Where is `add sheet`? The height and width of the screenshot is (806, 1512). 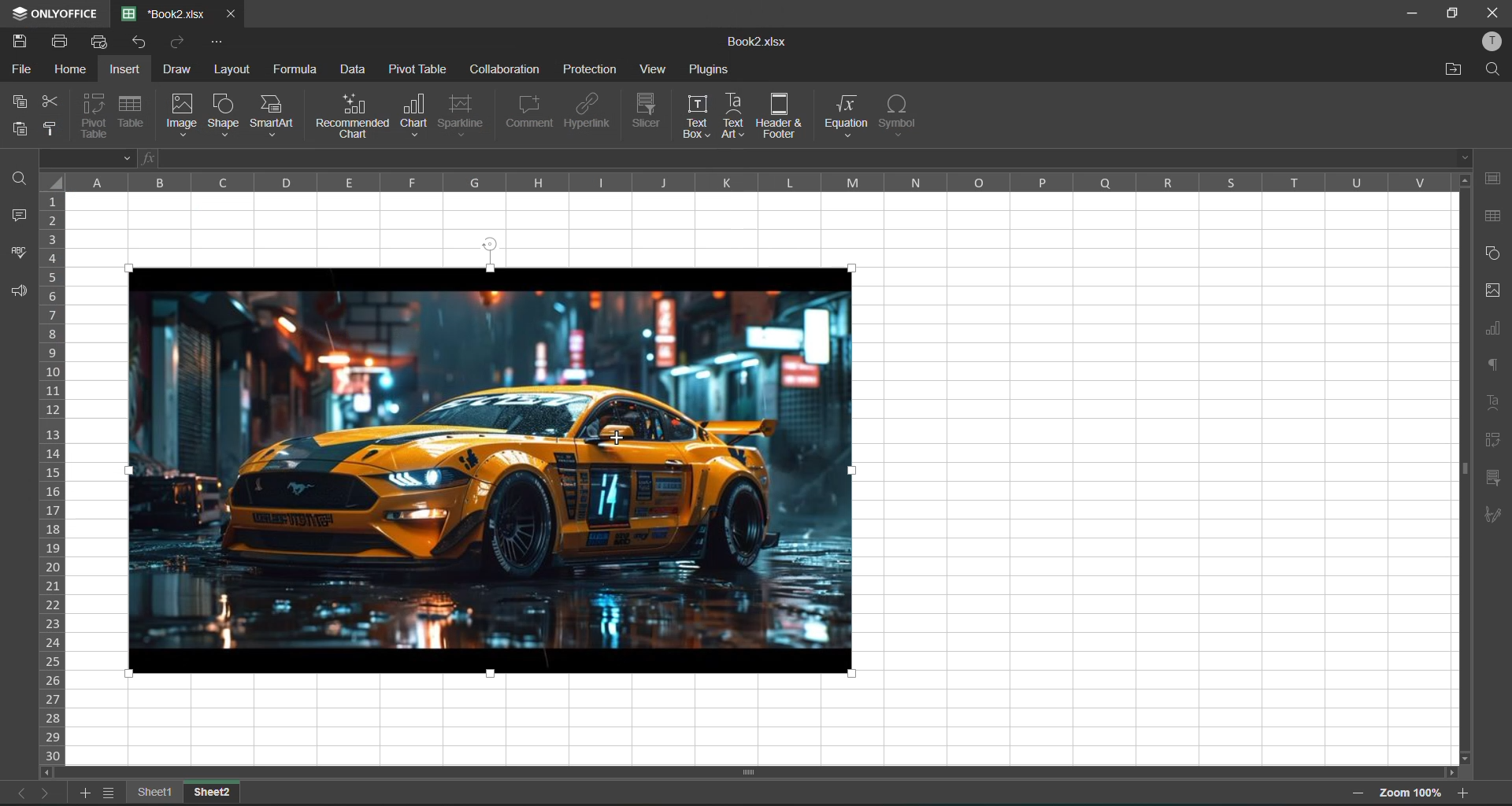
add sheet is located at coordinates (85, 794).